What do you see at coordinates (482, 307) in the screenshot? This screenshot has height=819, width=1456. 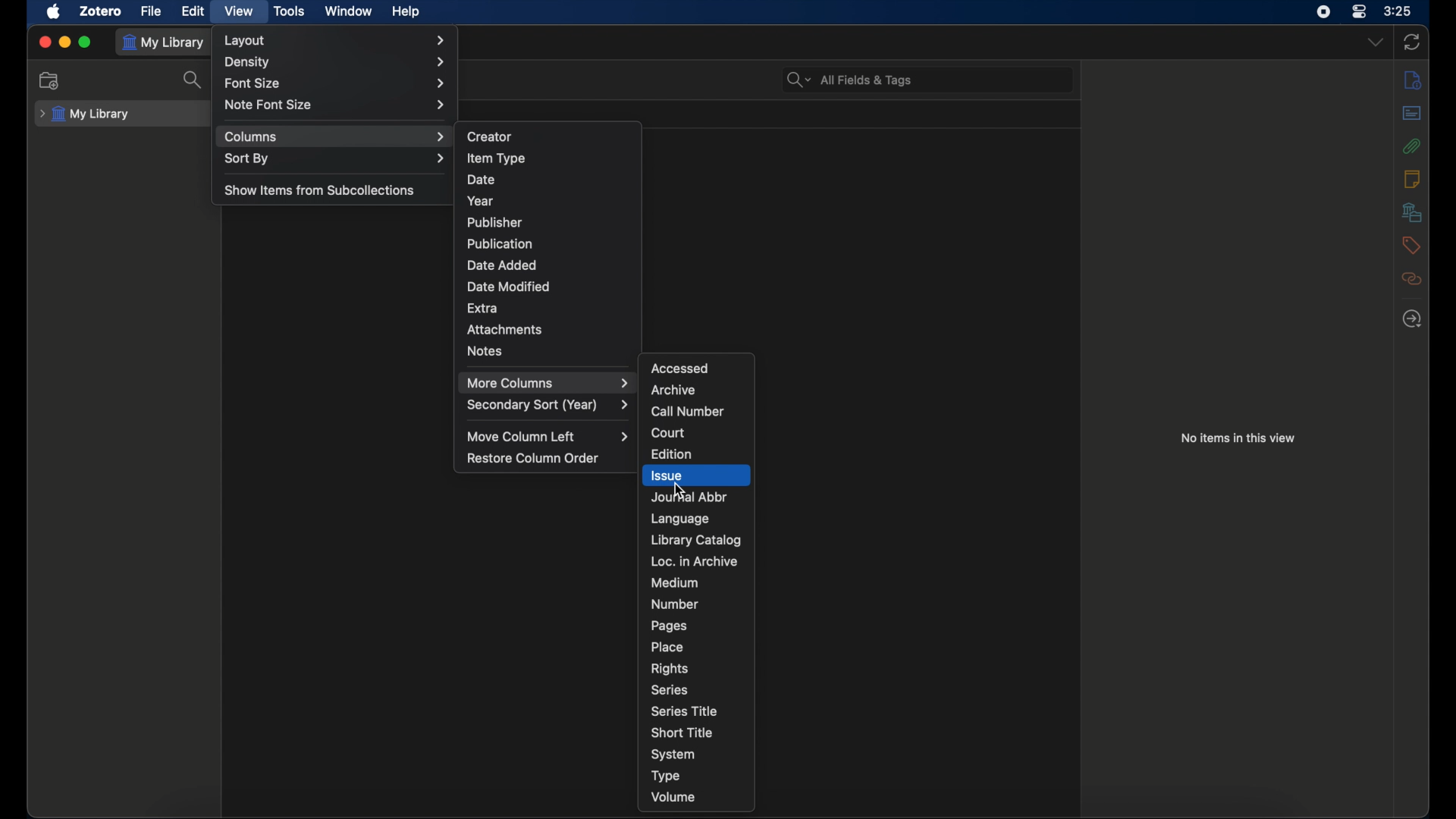 I see `extra` at bounding box center [482, 307].